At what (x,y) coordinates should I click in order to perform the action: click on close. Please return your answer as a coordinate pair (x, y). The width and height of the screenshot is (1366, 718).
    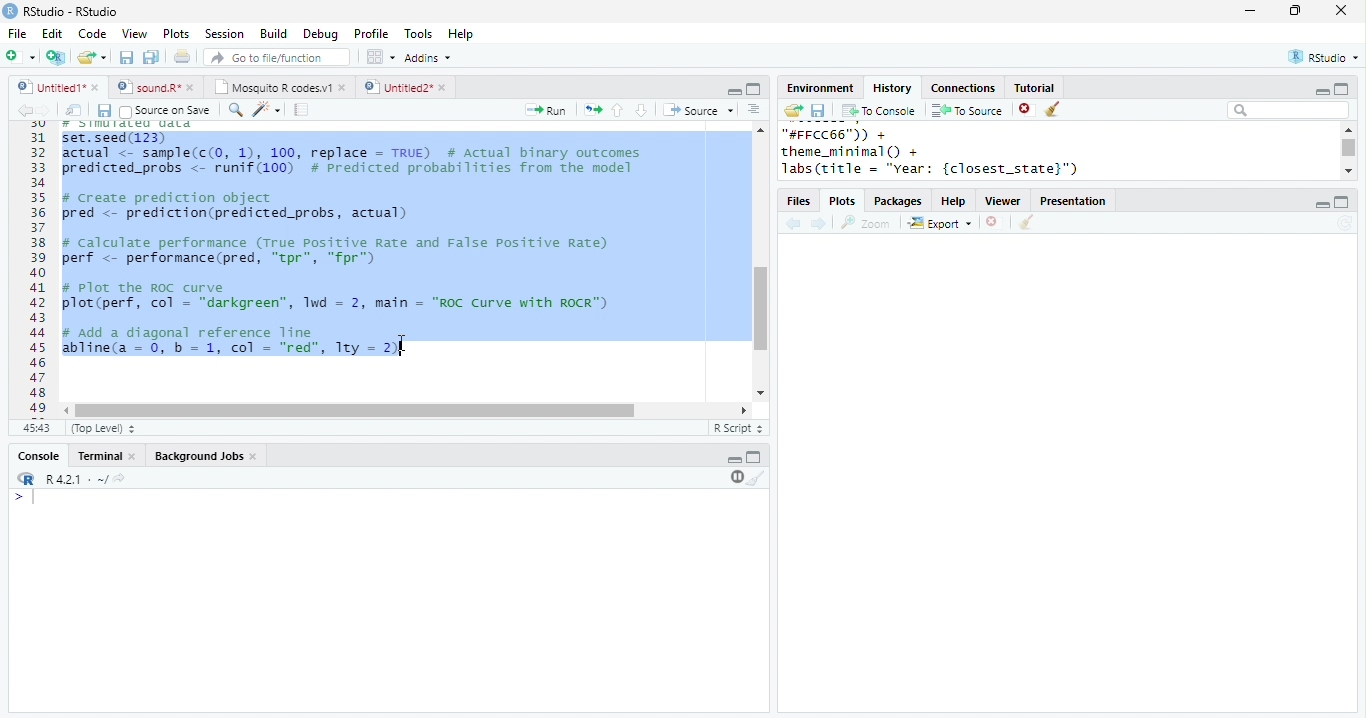
    Looking at the image, I should click on (194, 87).